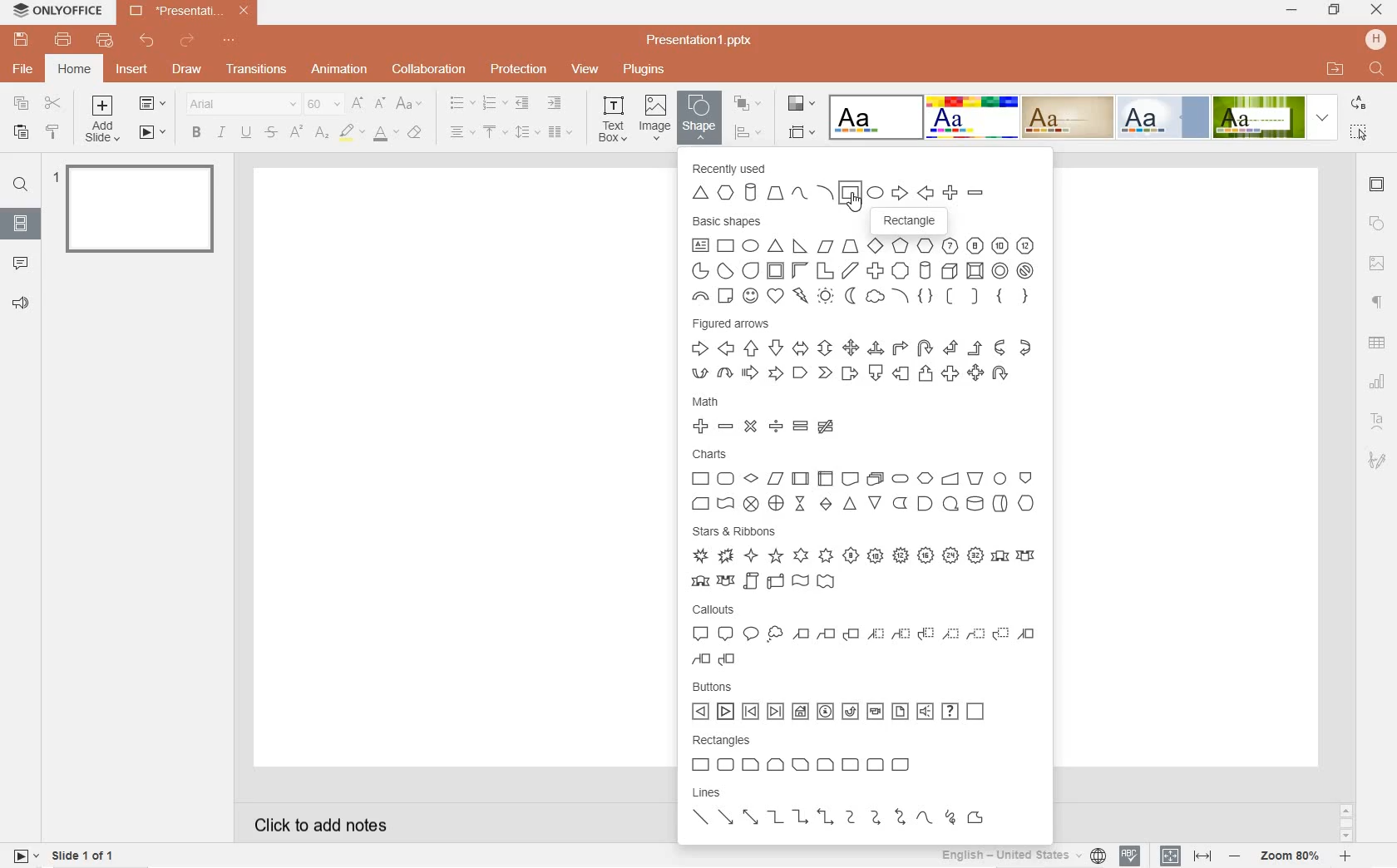 The image size is (1397, 868). Describe the element at coordinates (1024, 350) in the screenshot. I see `Curved left arrow` at that location.